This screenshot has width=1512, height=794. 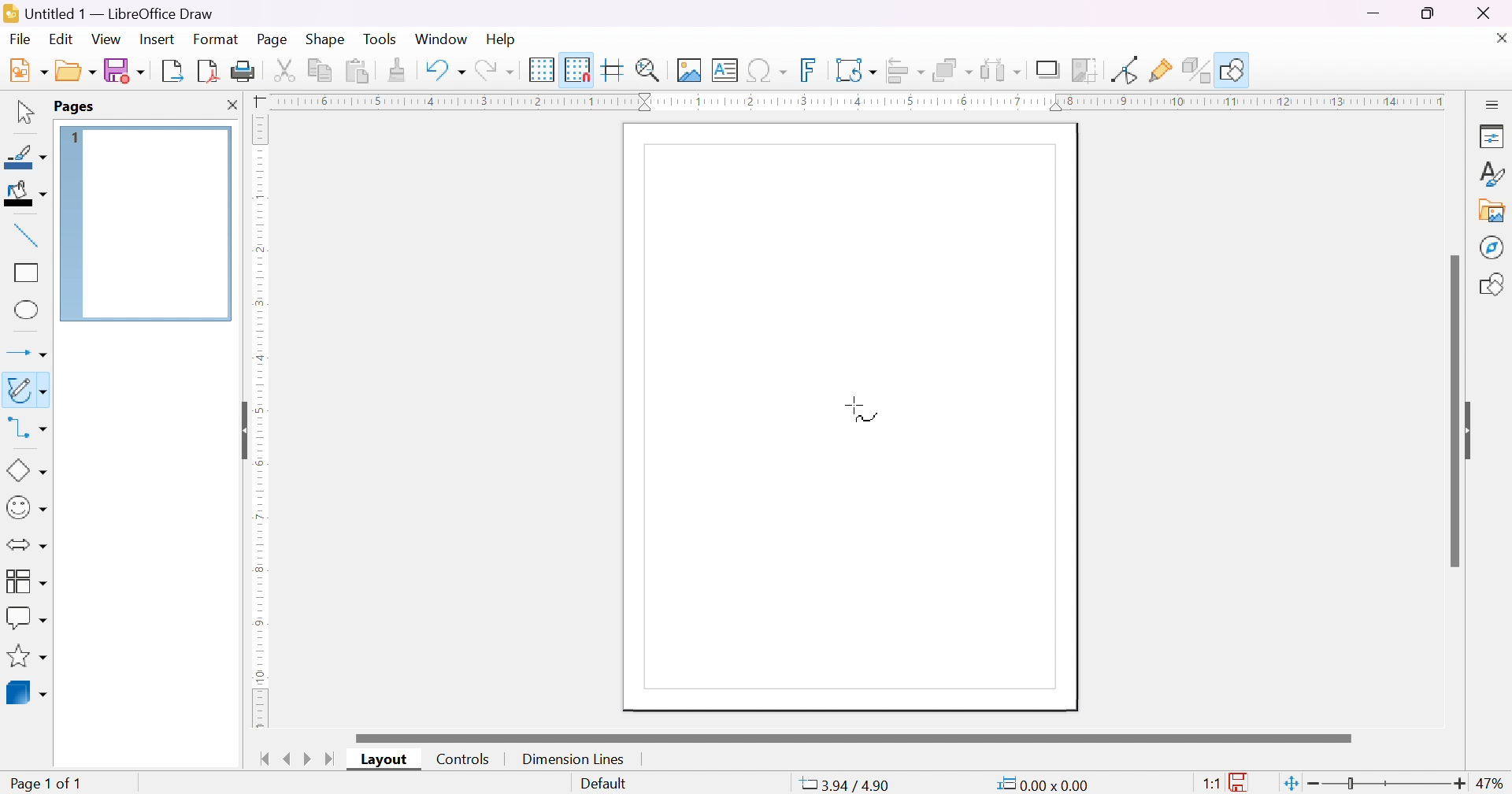 I want to click on flowcharts, so click(x=24, y=581).